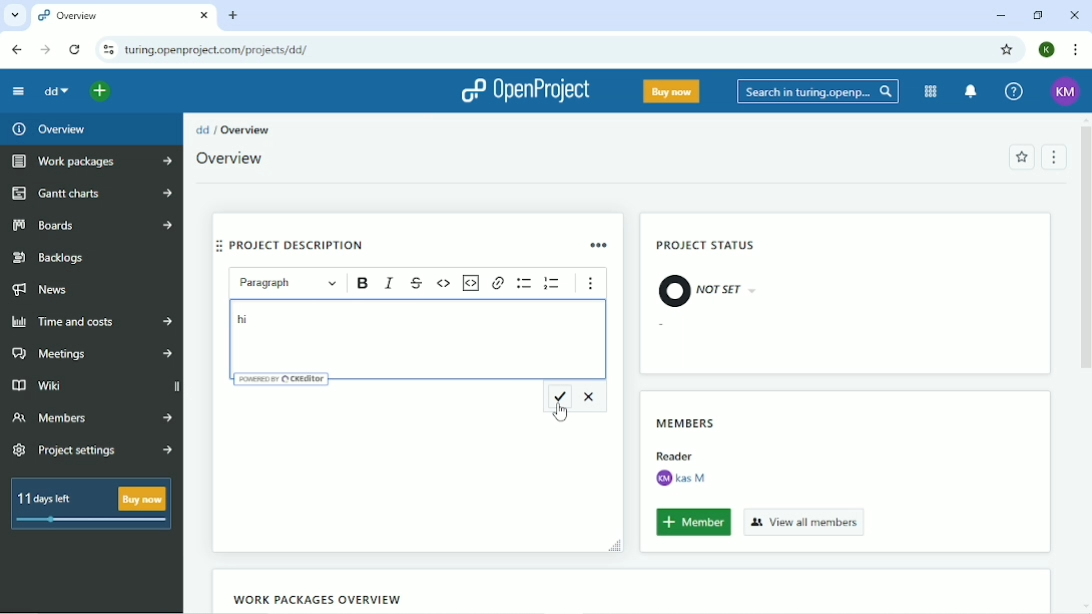 The image size is (1092, 614). What do you see at coordinates (124, 17) in the screenshot?
I see `overview` at bounding box center [124, 17].